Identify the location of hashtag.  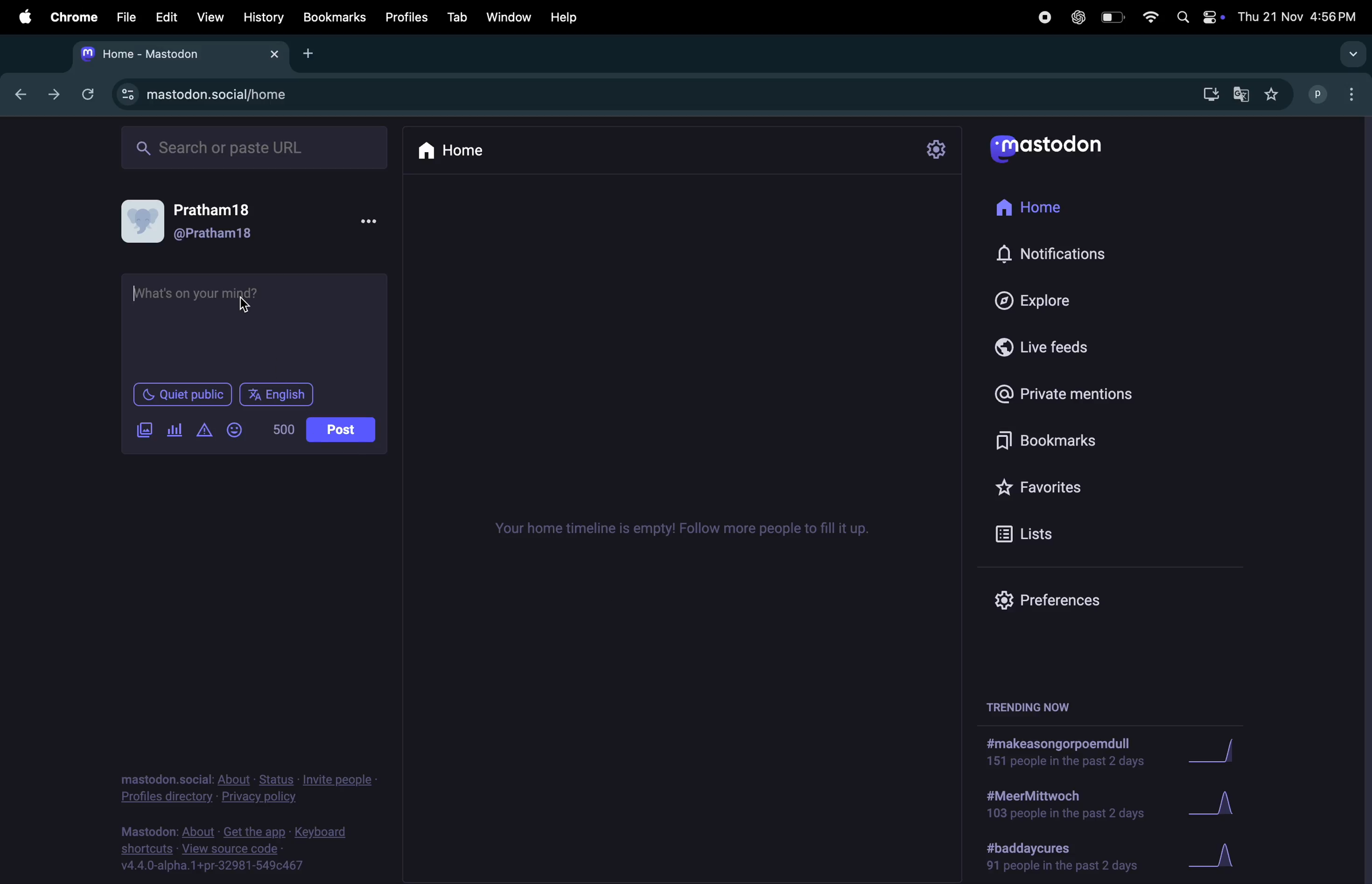
(1057, 807).